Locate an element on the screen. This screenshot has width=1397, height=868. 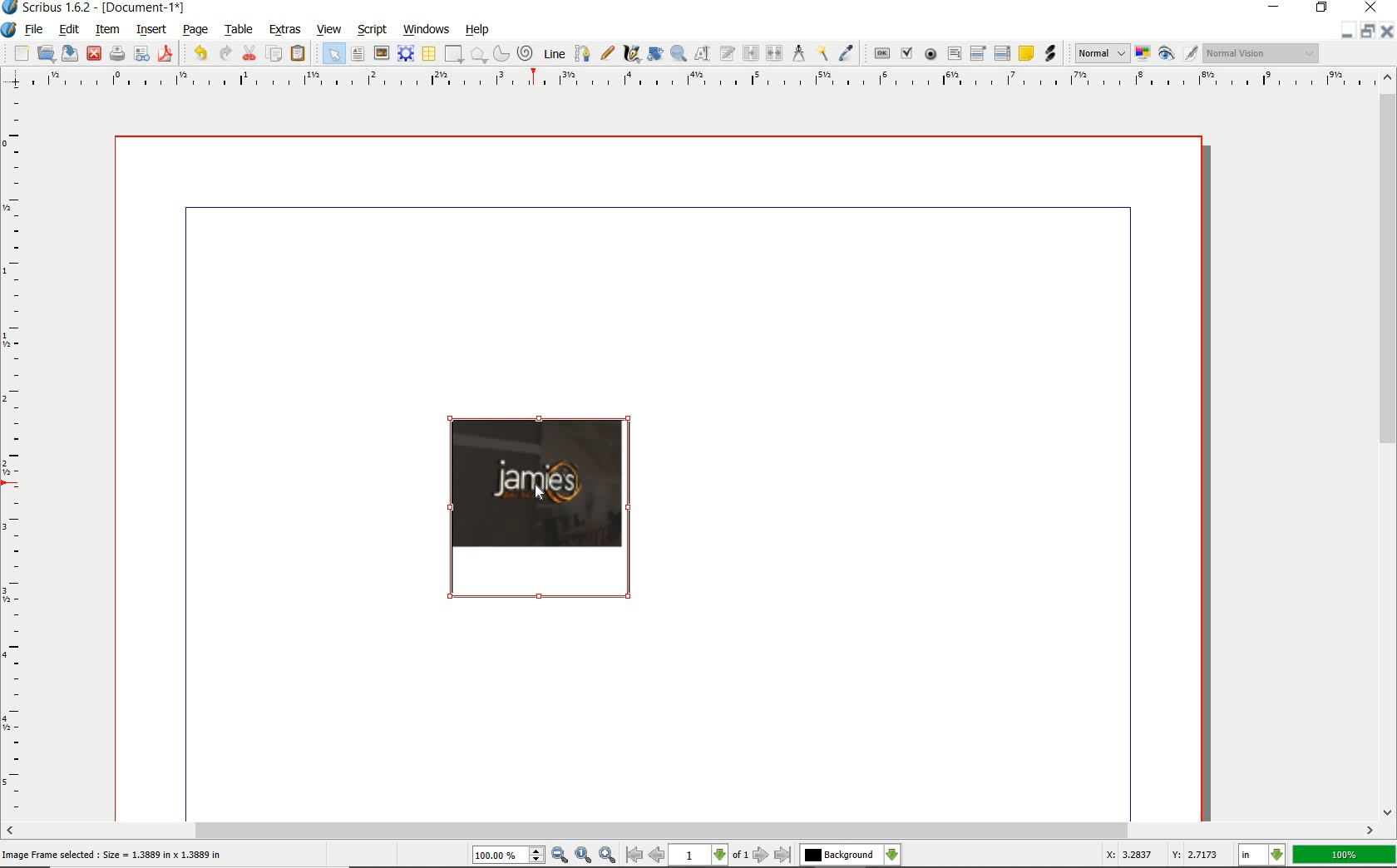
edit is located at coordinates (68, 31).